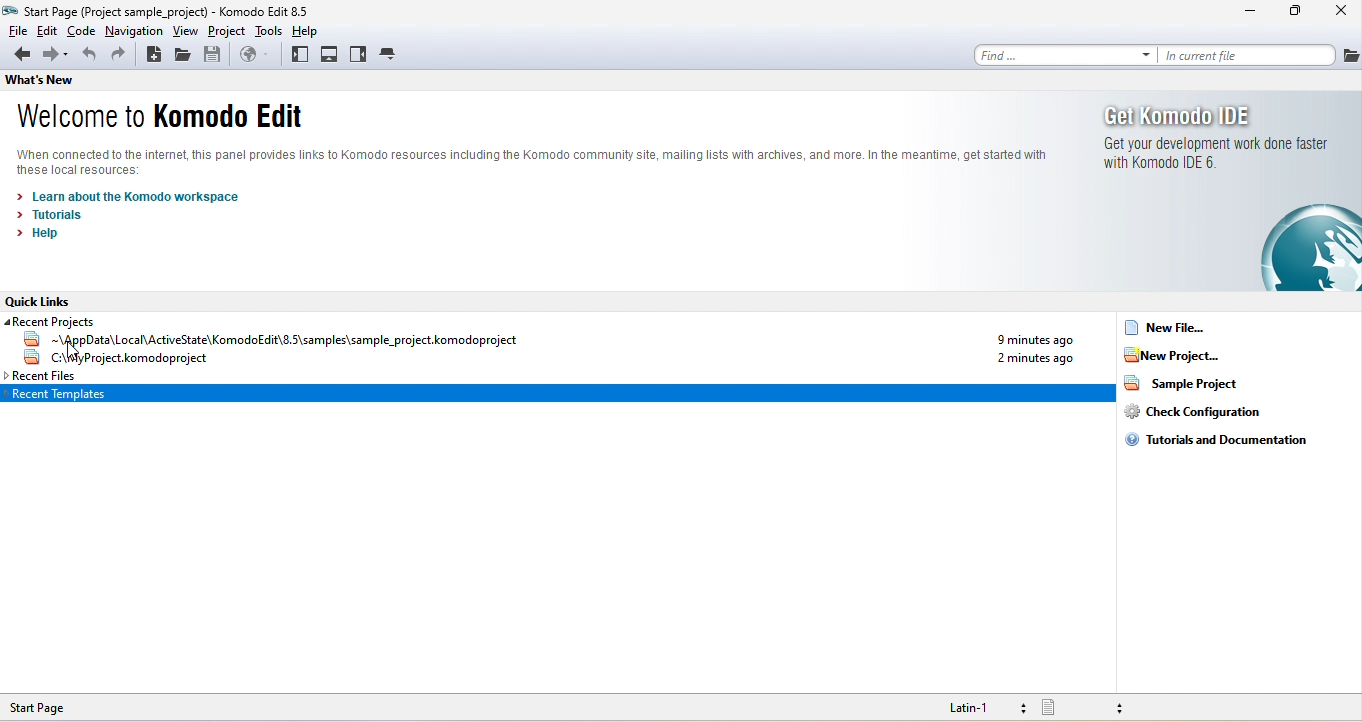 The image size is (1362, 722). Describe the element at coordinates (157, 11) in the screenshot. I see `title` at that location.